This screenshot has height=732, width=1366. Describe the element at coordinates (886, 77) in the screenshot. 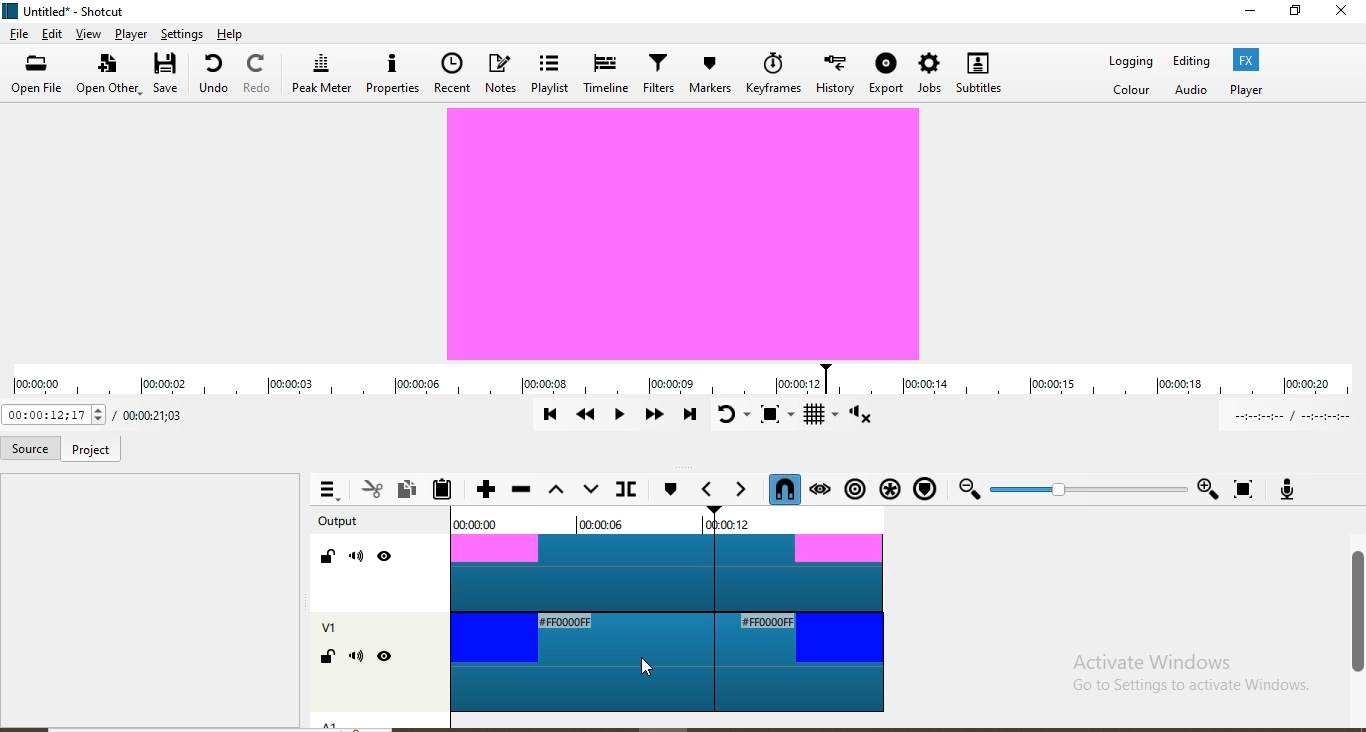

I see `Export` at that location.